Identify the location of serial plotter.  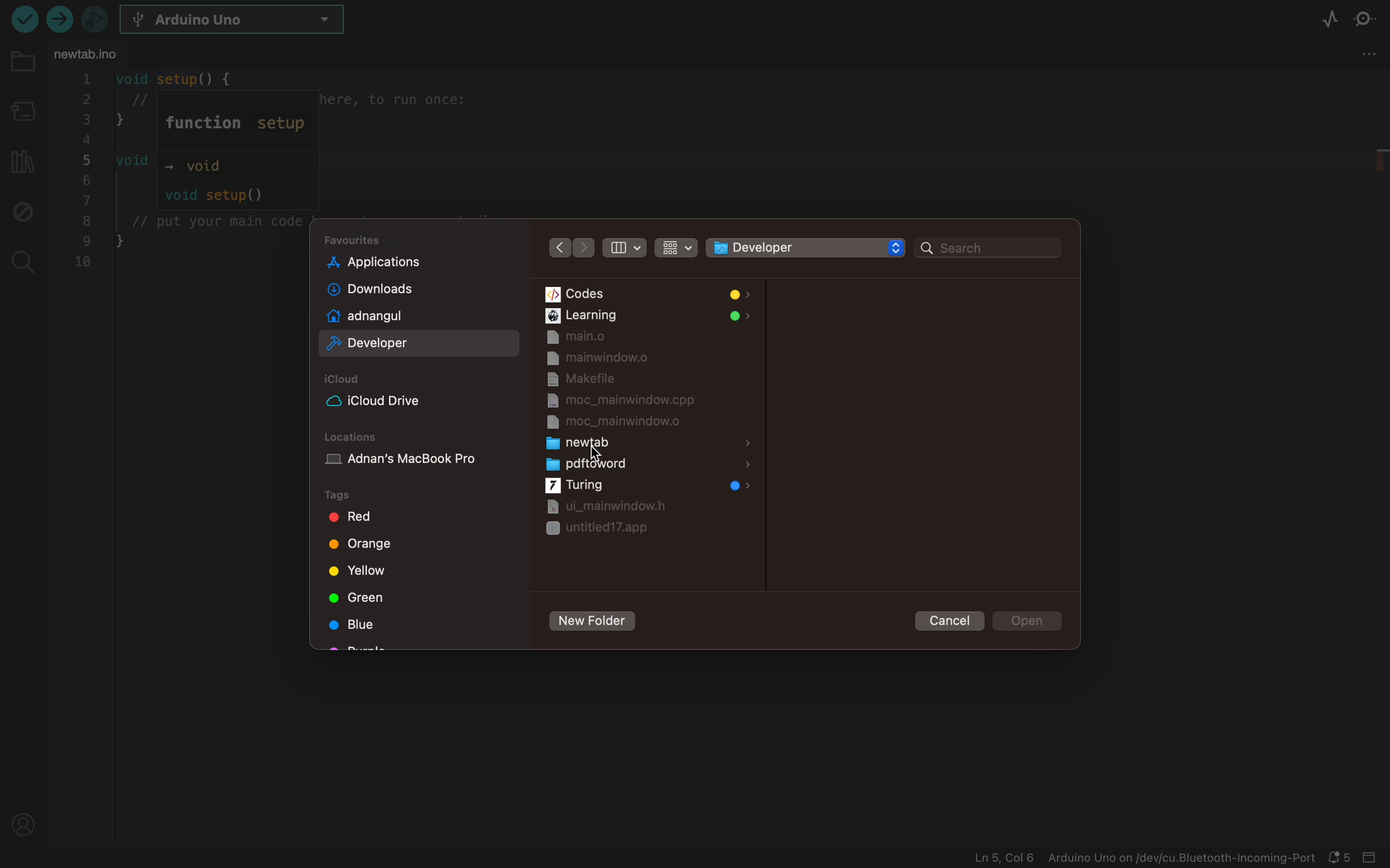
(1330, 21).